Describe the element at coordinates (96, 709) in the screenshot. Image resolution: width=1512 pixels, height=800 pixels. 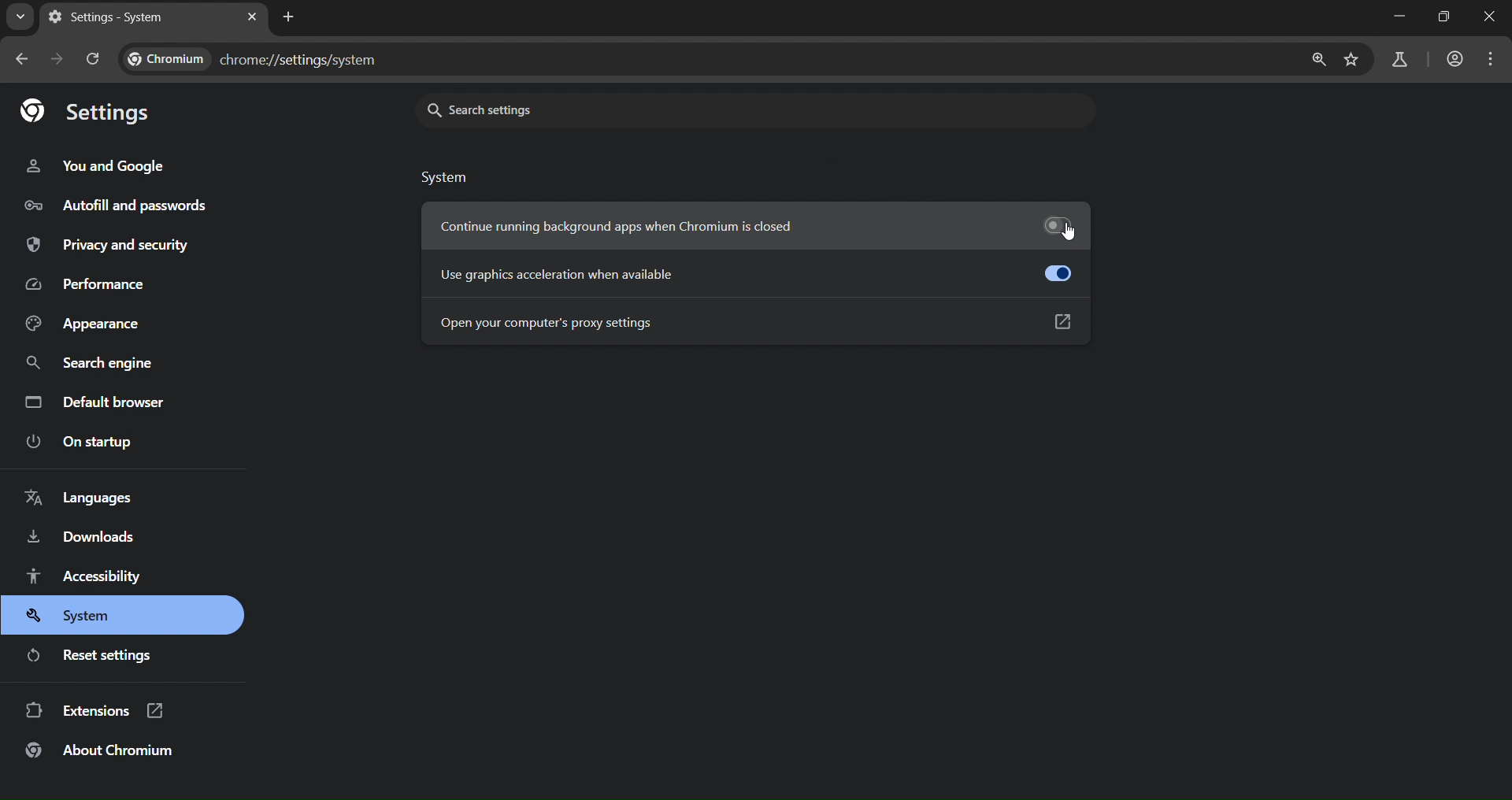
I see `extensions` at that location.